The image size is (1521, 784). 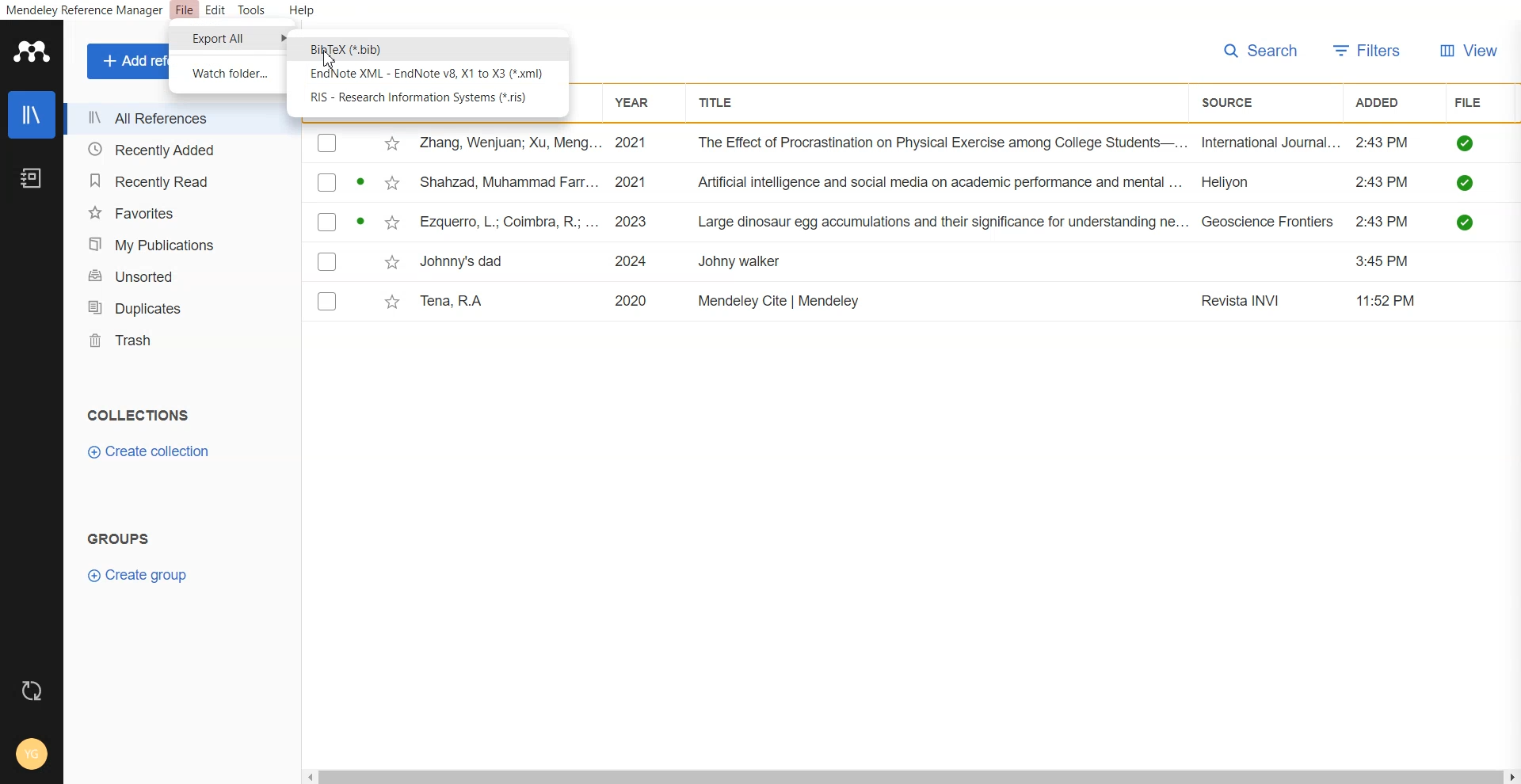 What do you see at coordinates (1271, 143) in the screenshot?
I see `International Journal...` at bounding box center [1271, 143].